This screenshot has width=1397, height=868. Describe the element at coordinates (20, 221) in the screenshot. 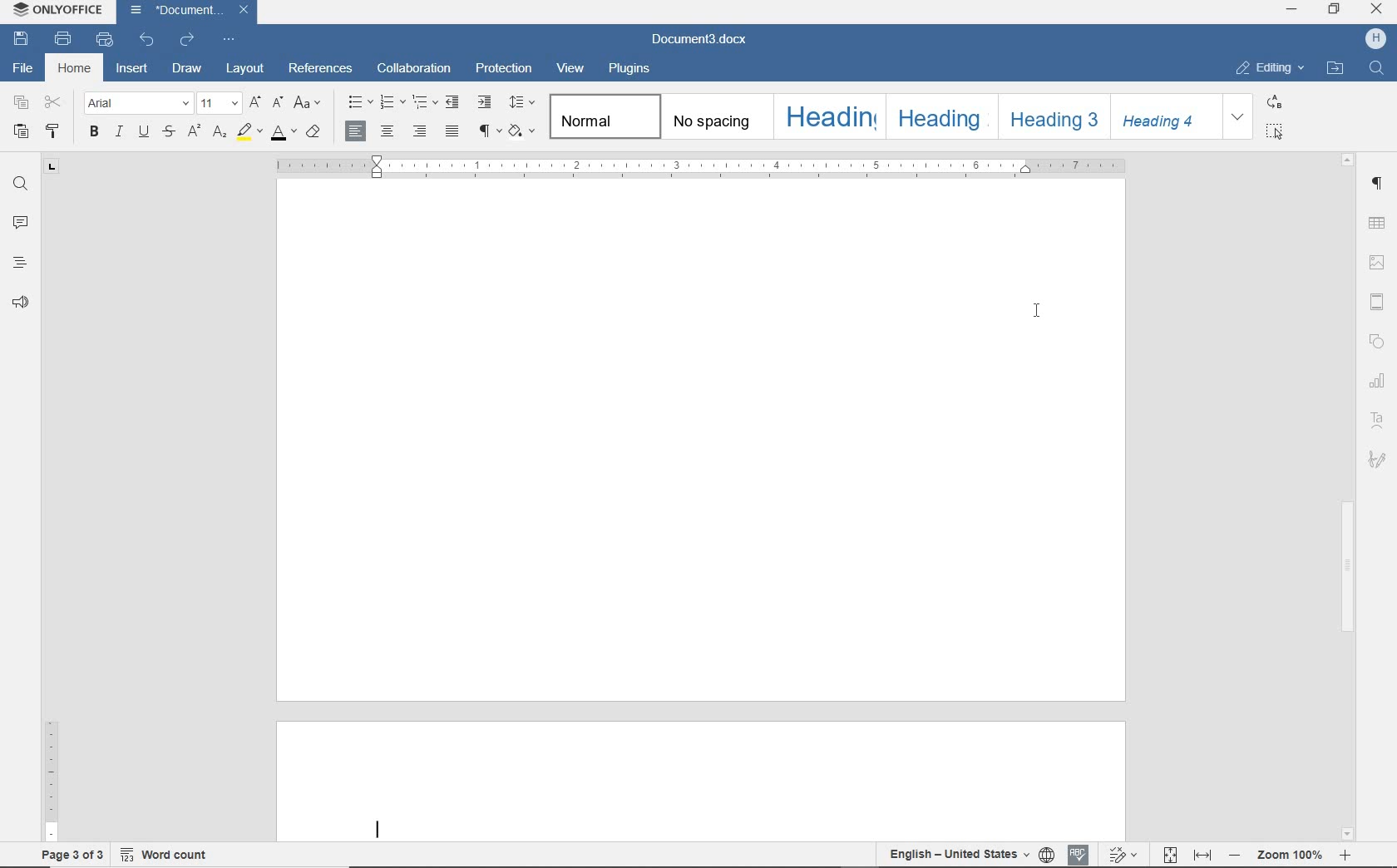

I see `COMMENTS` at that location.